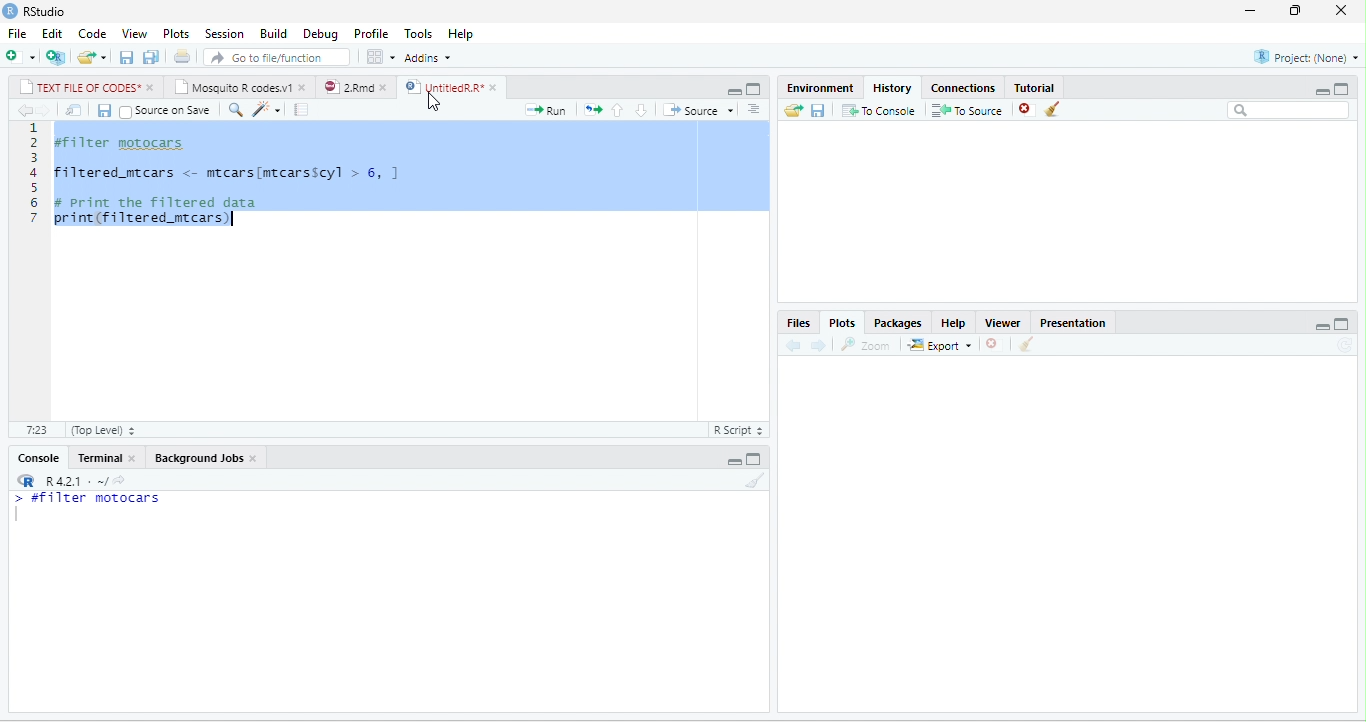 This screenshot has height=722, width=1366. I want to click on Packages, so click(898, 323).